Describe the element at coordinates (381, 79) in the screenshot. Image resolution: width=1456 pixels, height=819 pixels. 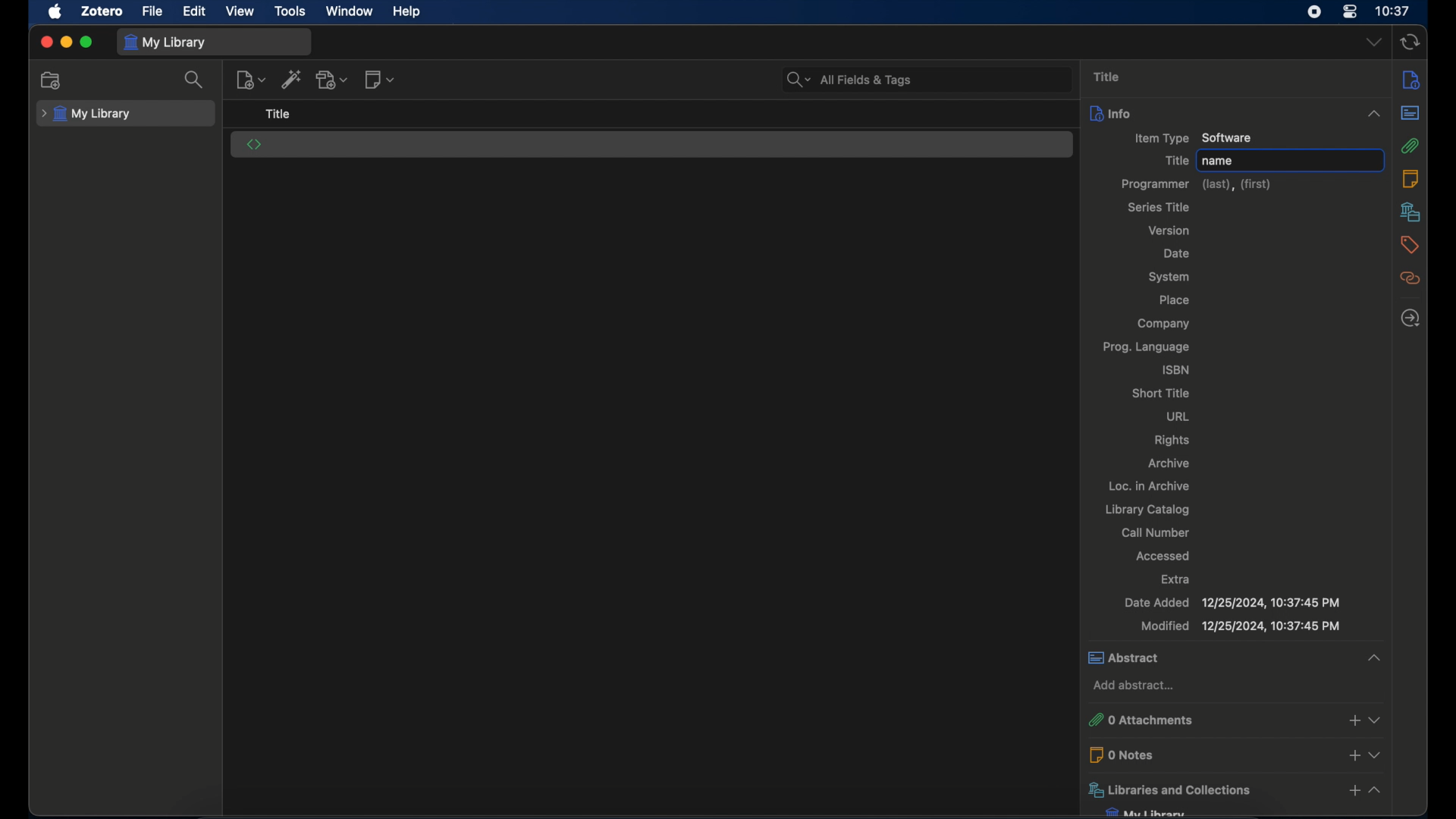
I see `new note` at that location.